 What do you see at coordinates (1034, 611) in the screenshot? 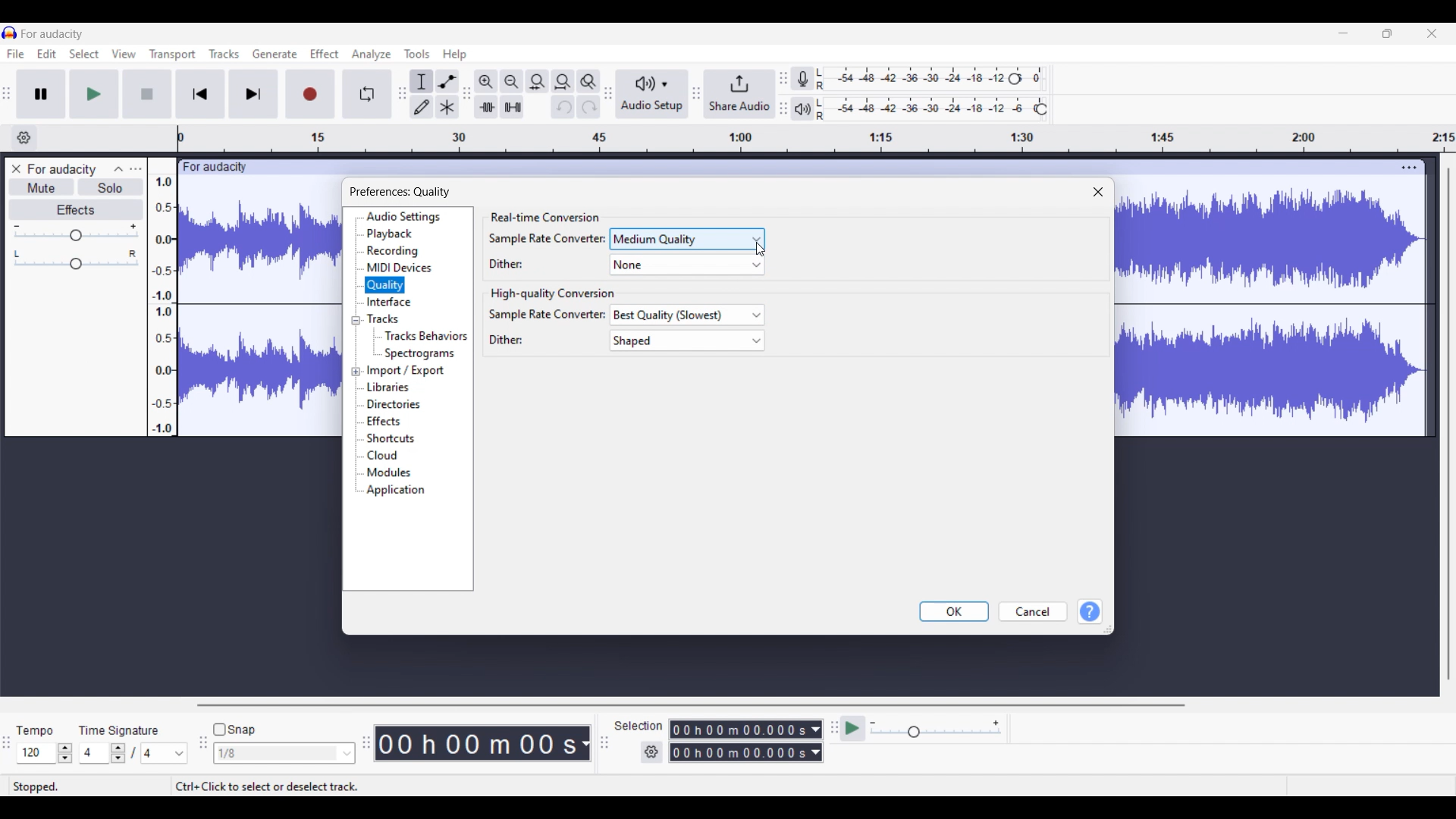
I see `Cancel` at bounding box center [1034, 611].